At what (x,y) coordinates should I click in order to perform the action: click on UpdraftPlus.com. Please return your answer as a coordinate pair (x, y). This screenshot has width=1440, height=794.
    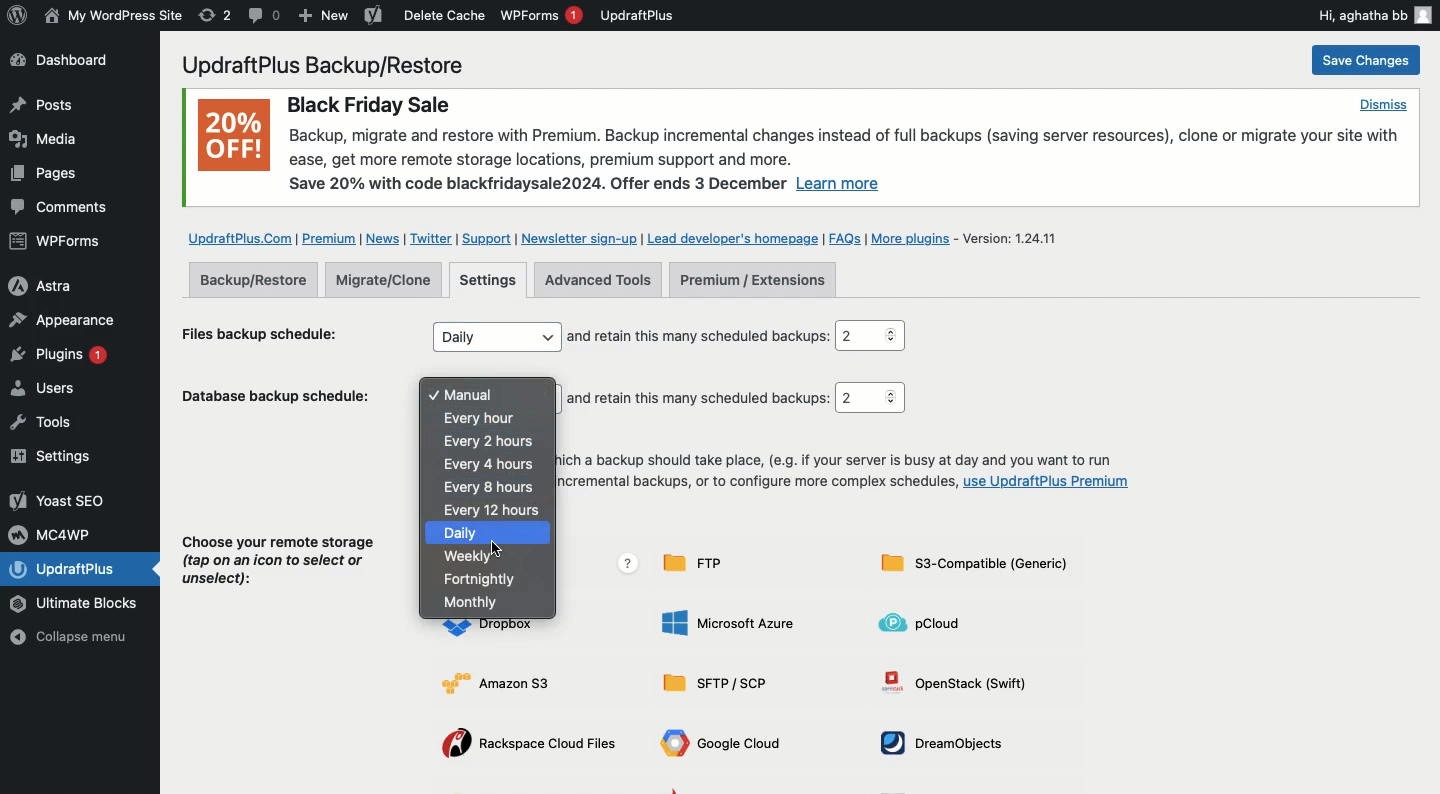
    Looking at the image, I should click on (238, 237).